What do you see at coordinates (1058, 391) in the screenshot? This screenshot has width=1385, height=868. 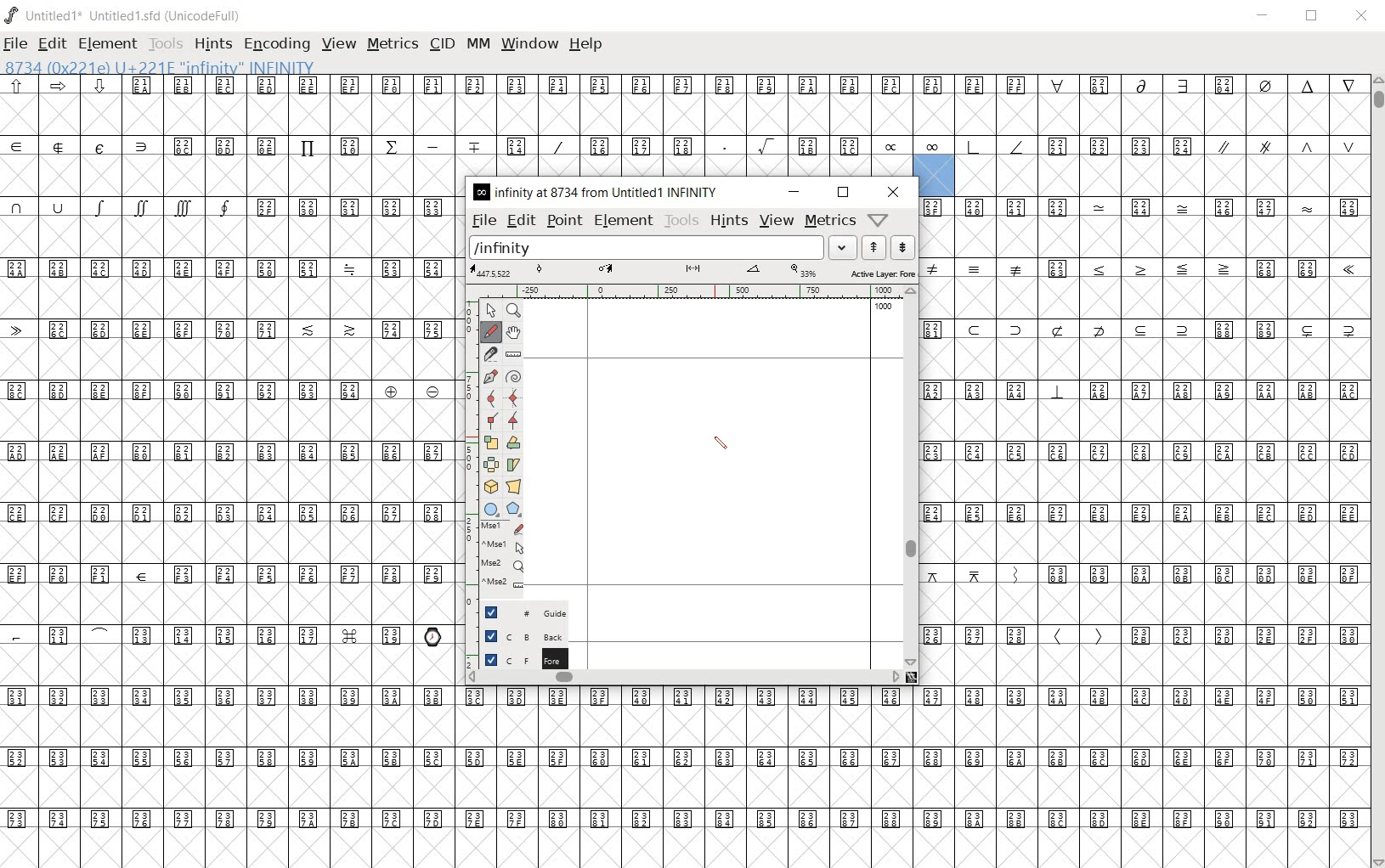 I see `symbol` at bounding box center [1058, 391].